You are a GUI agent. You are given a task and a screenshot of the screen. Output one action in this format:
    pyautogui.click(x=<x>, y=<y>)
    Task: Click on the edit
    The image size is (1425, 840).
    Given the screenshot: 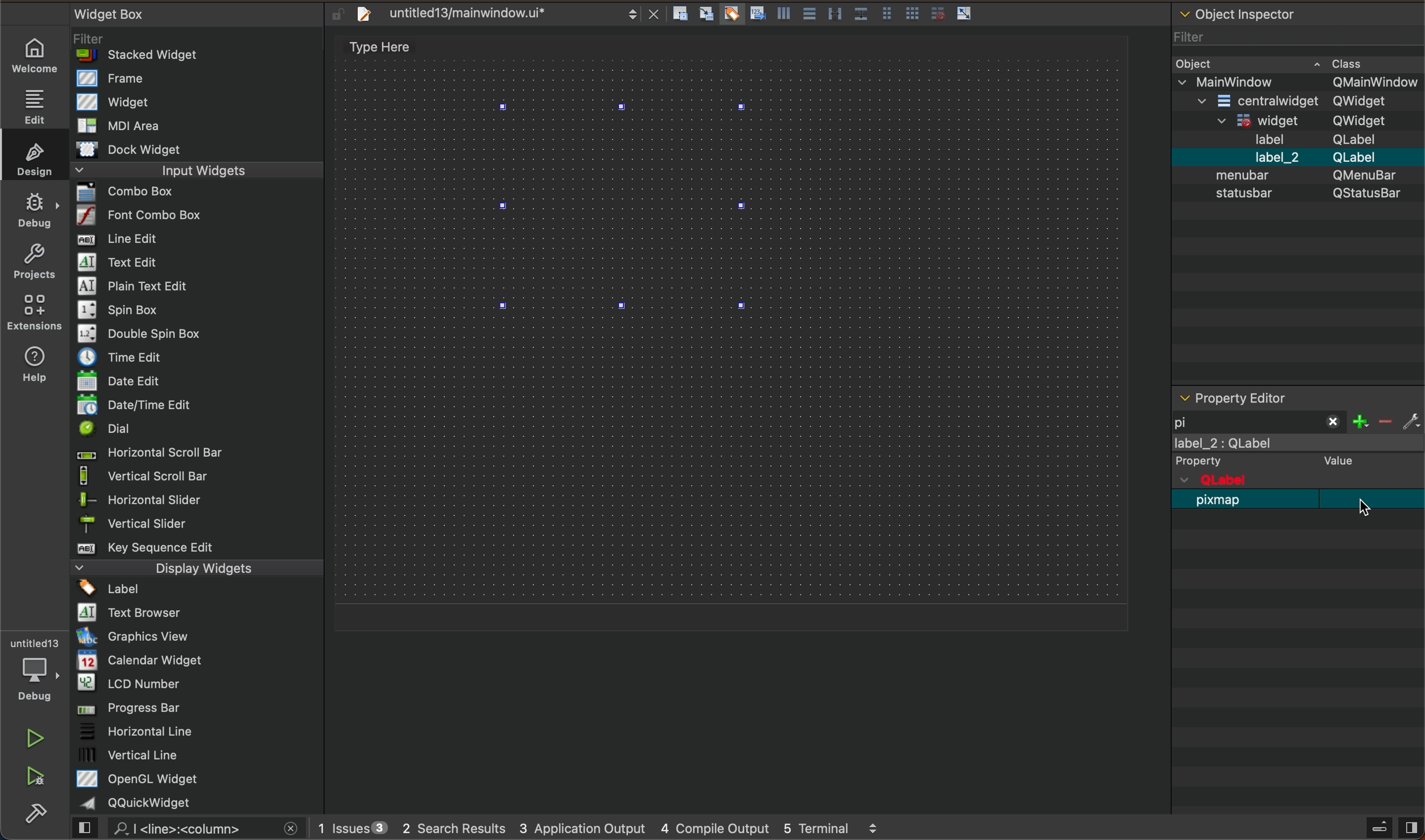 What is the action you would take?
    pyautogui.click(x=32, y=104)
    